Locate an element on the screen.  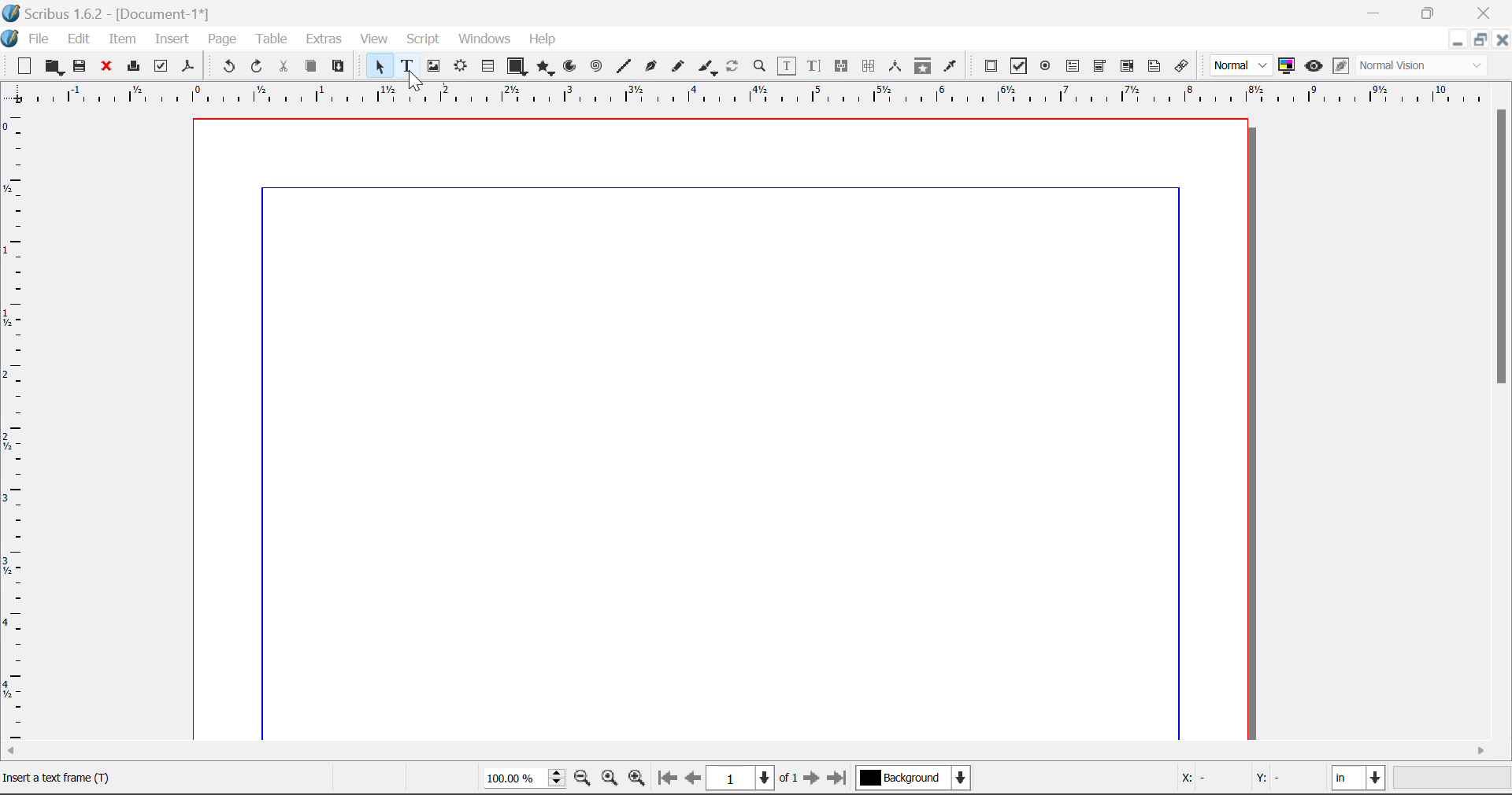
Preview Mode is located at coordinates (1314, 66).